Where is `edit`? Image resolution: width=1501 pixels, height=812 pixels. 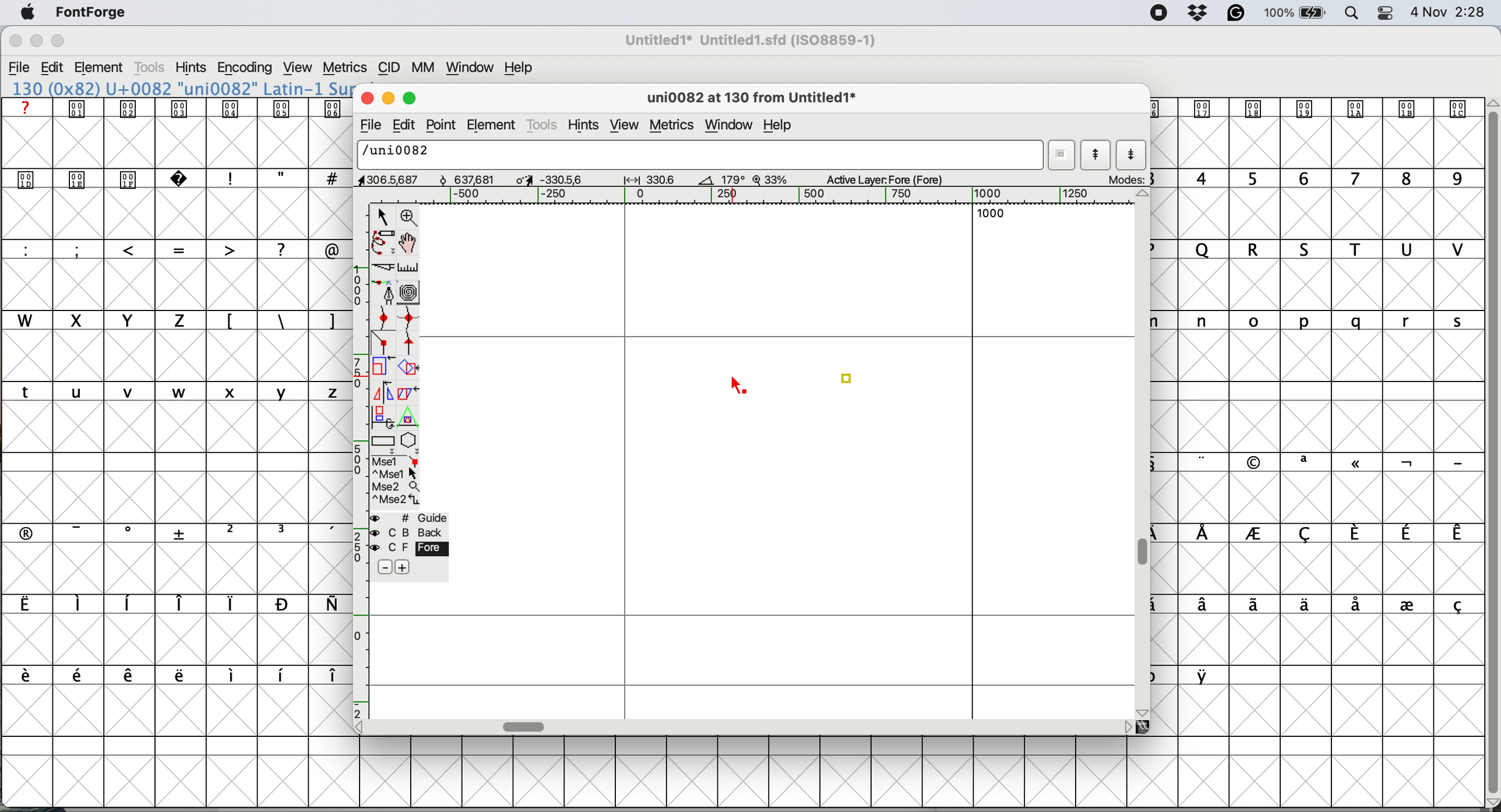 edit is located at coordinates (400, 126).